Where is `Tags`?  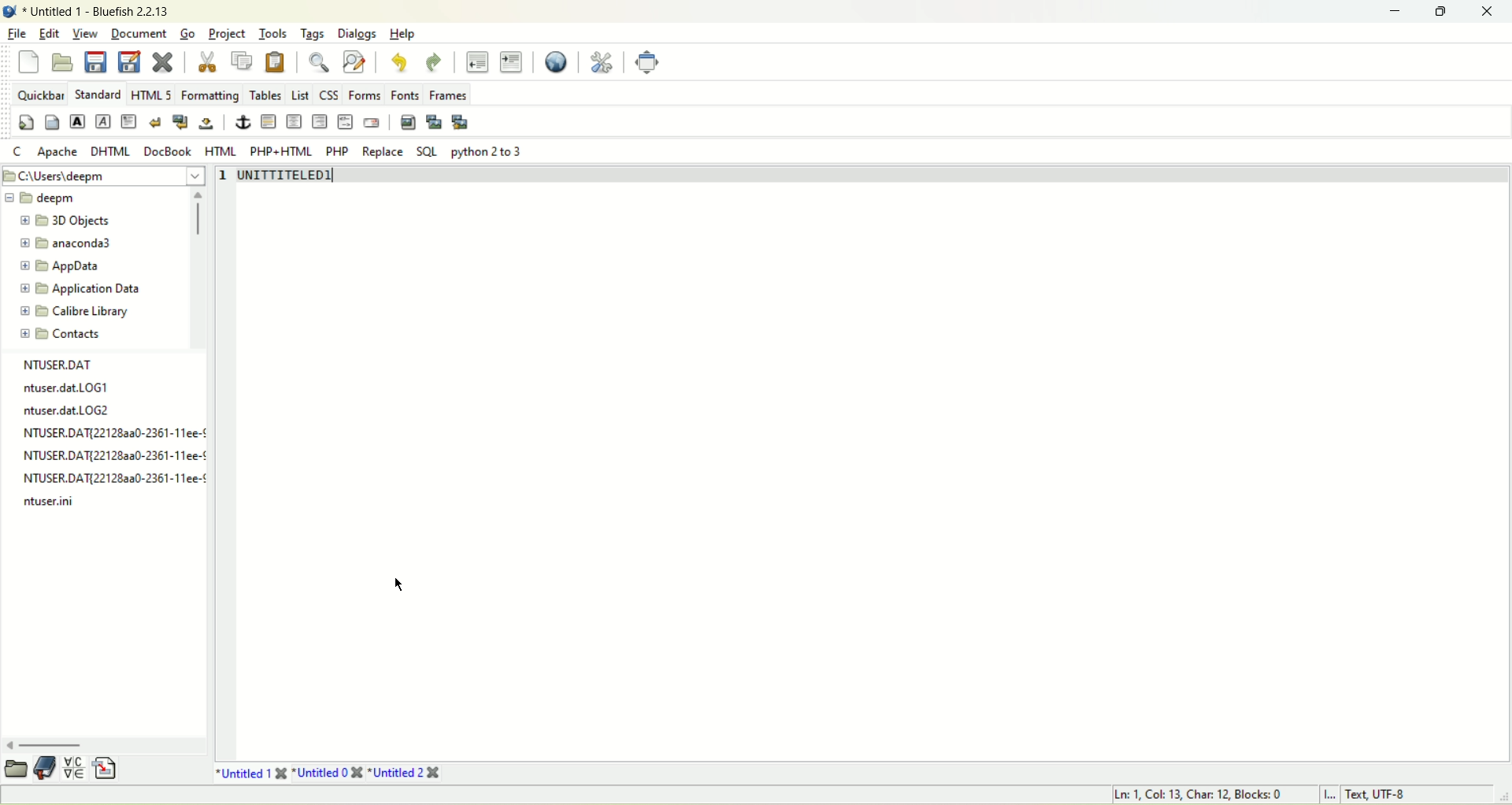 Tags is located at coordinates (317, 35).